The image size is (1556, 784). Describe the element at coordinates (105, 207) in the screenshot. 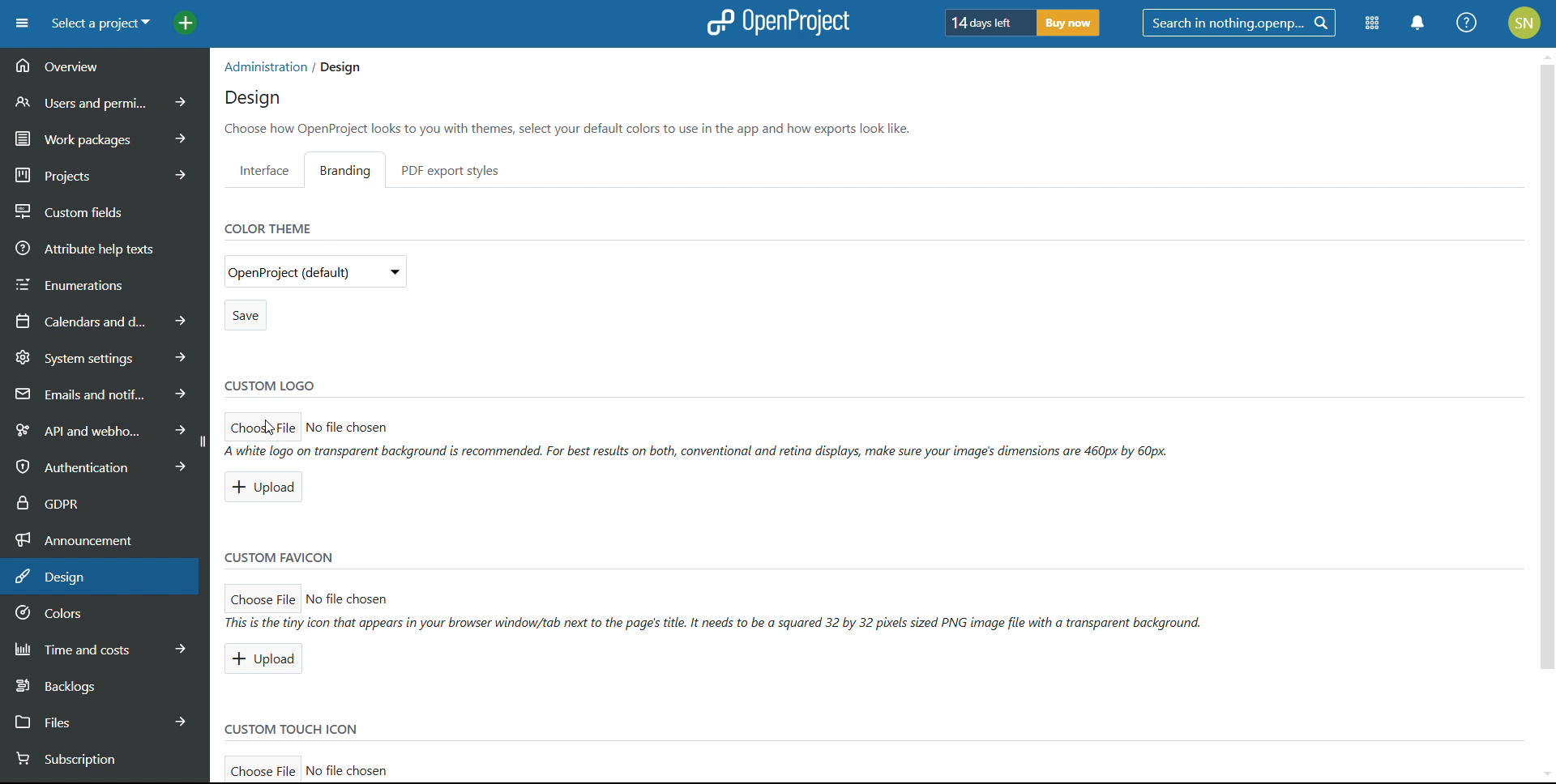

I see `custom fields` at that location.